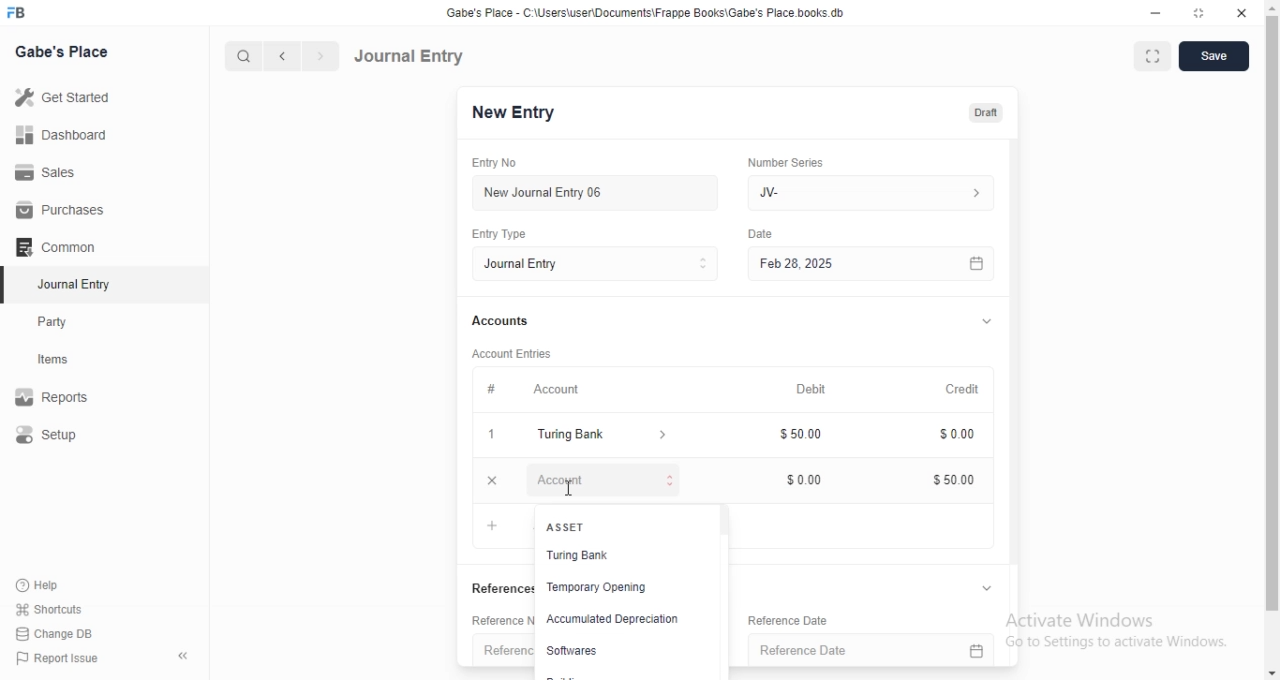 Image resolution: width=1280 pixels, height=680 pixels. Describe the element at coordinates (1022, 350) in the screenshot. I see `vertical scrollbar` at that location.